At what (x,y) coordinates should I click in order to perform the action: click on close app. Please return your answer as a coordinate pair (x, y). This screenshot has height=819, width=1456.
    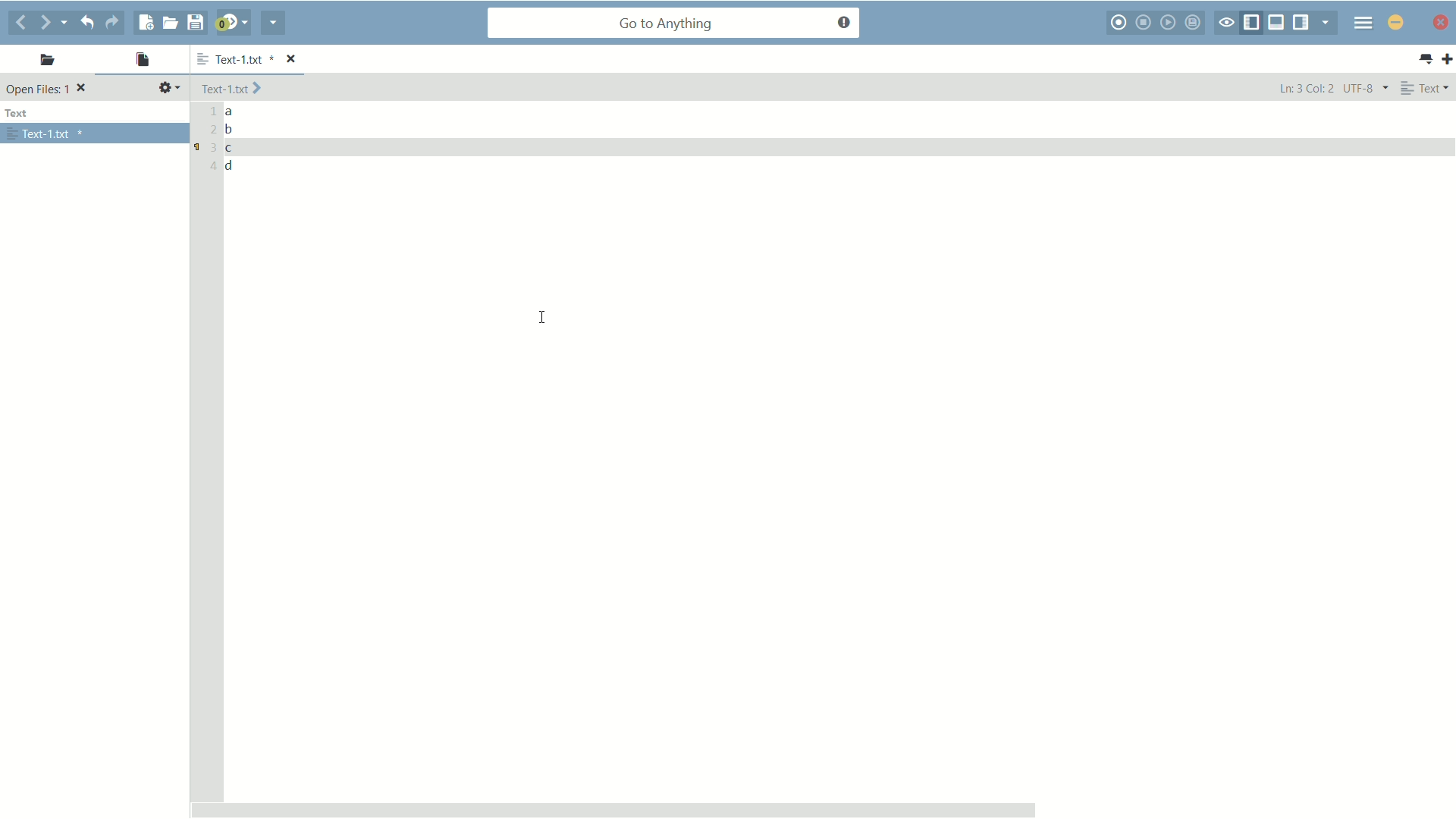
    Looking at the image, I should click on (1395, 21).